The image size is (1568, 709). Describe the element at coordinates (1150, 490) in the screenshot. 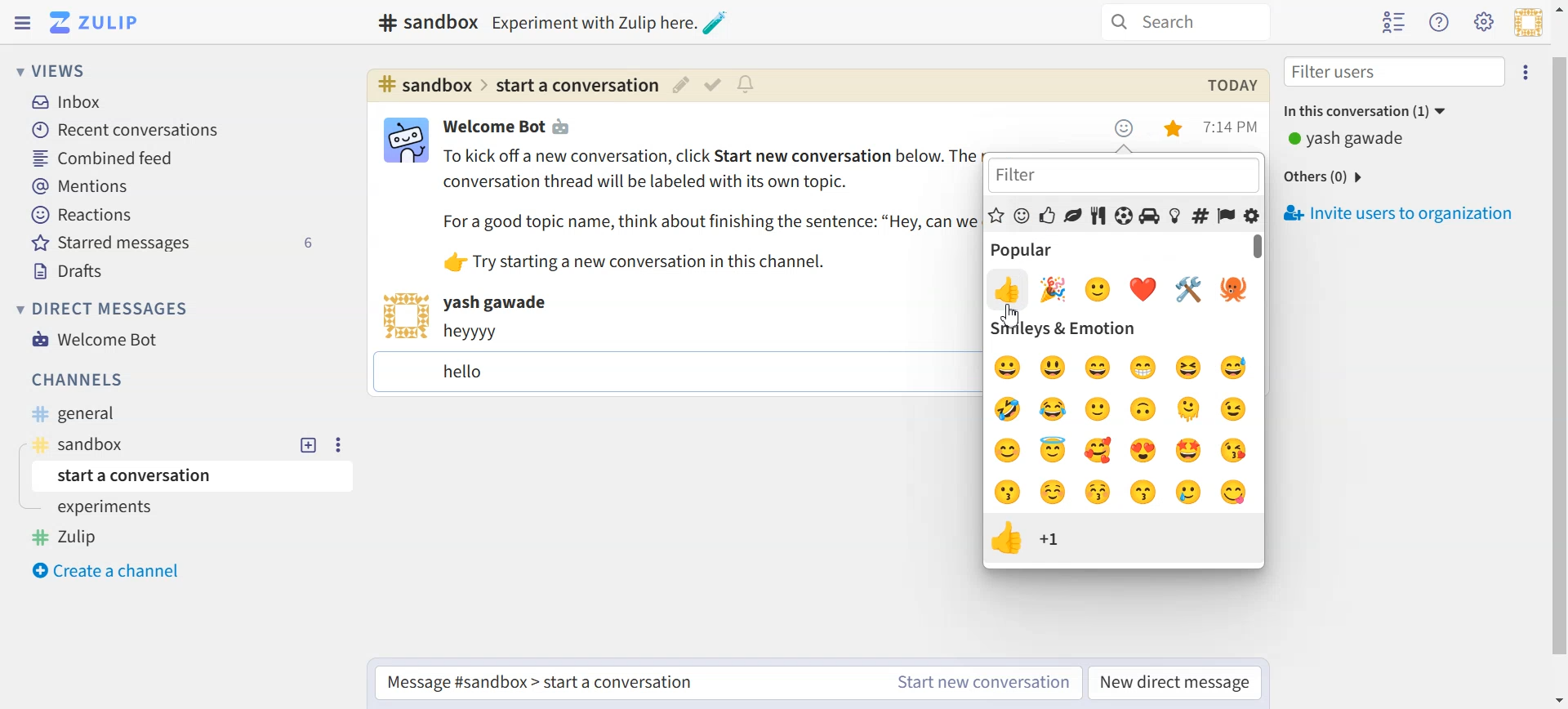

I see `kiss smiling eyes` at that location.